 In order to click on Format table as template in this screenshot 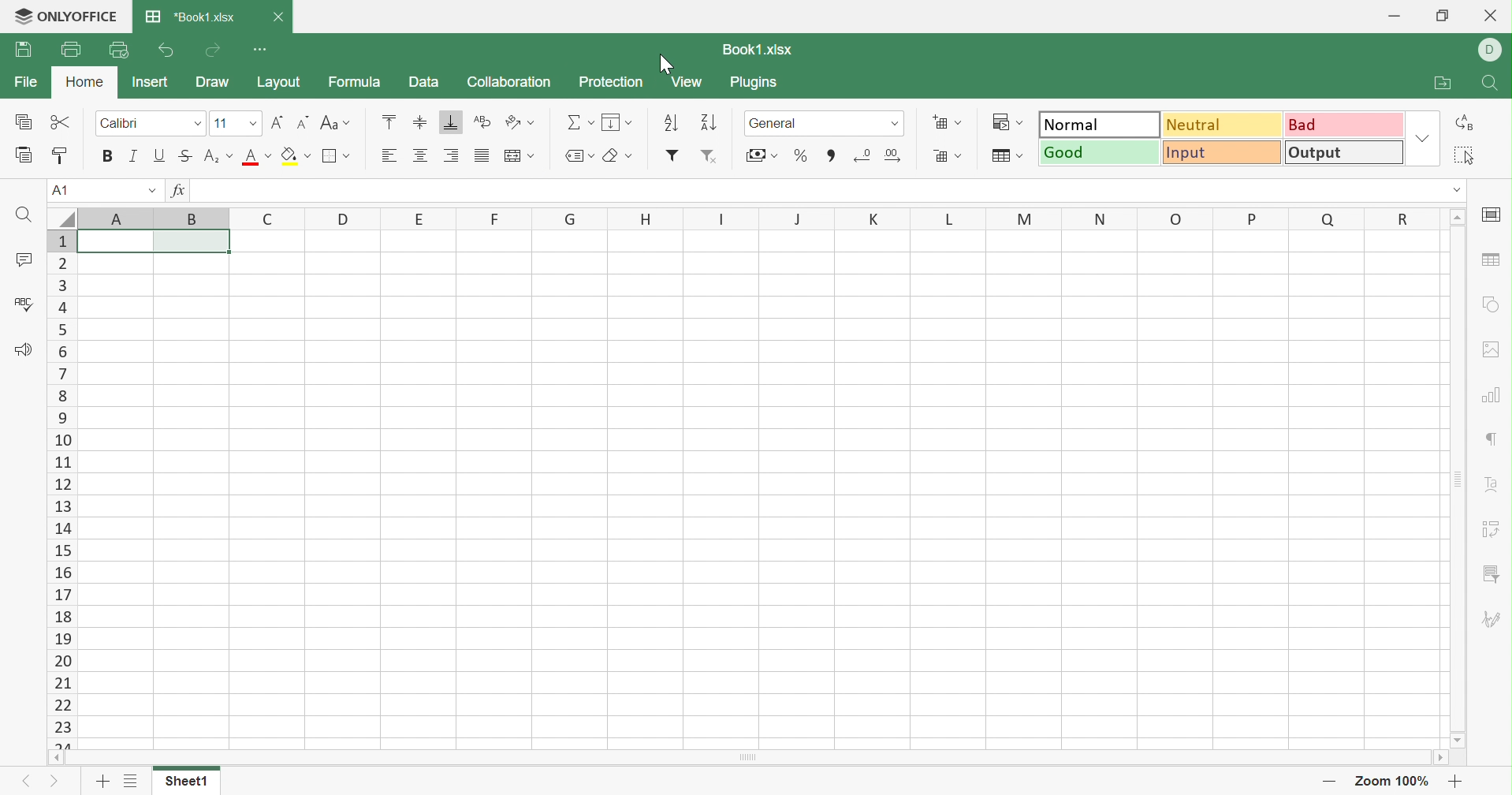, I will do `click(1006, 157)`.